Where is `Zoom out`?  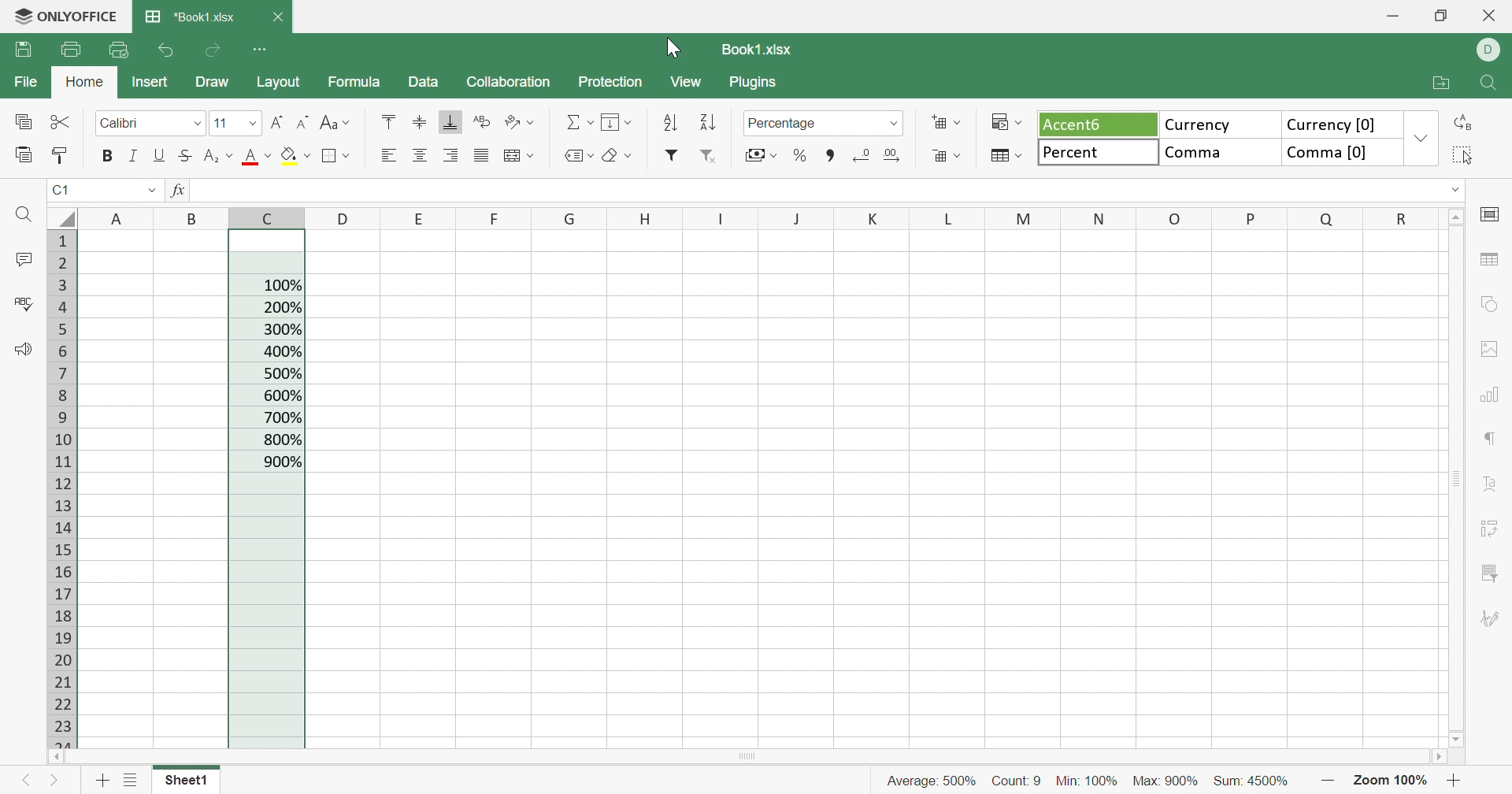 Zoom out is located at coordinates (1454, 781).